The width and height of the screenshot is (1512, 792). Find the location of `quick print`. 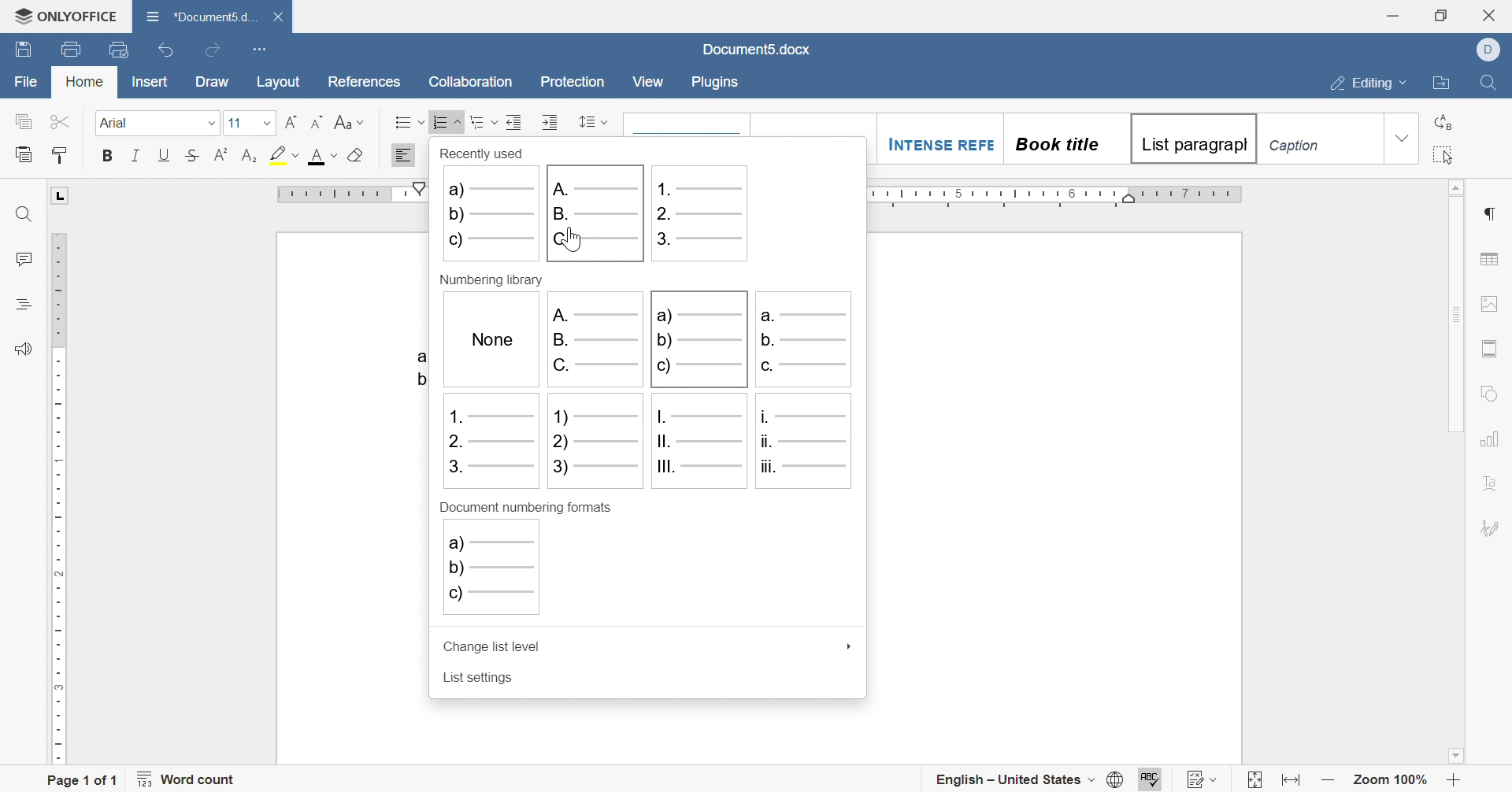

quick print is located at coordinates (120, 49).